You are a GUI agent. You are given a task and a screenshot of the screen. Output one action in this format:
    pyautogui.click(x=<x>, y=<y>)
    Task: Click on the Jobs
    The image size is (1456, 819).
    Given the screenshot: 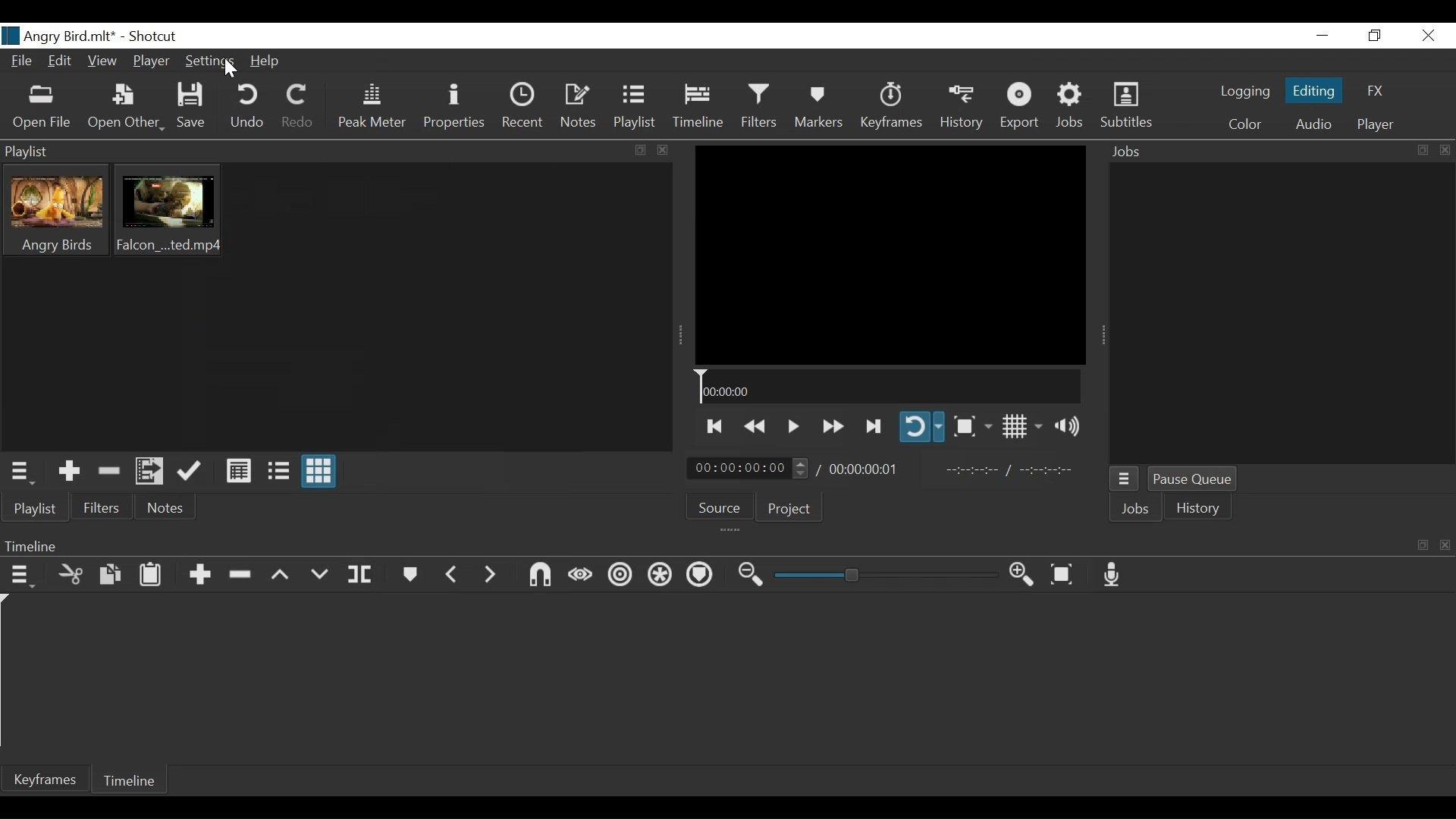 What is the action you would take?
    pyautogui.click(x=1071, y=108)
    